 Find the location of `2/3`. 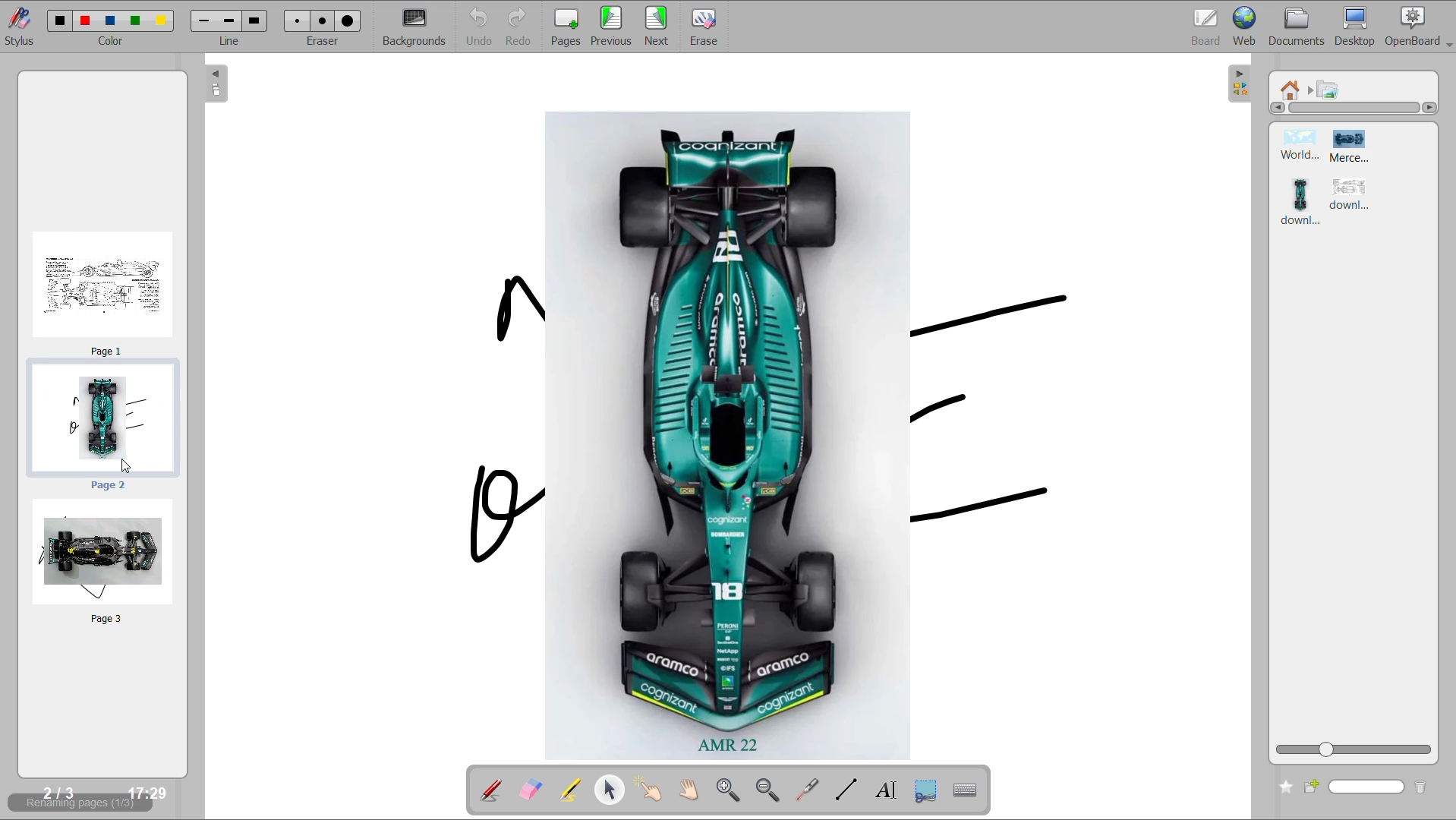

2/3 is located at coordinates (56, 792).